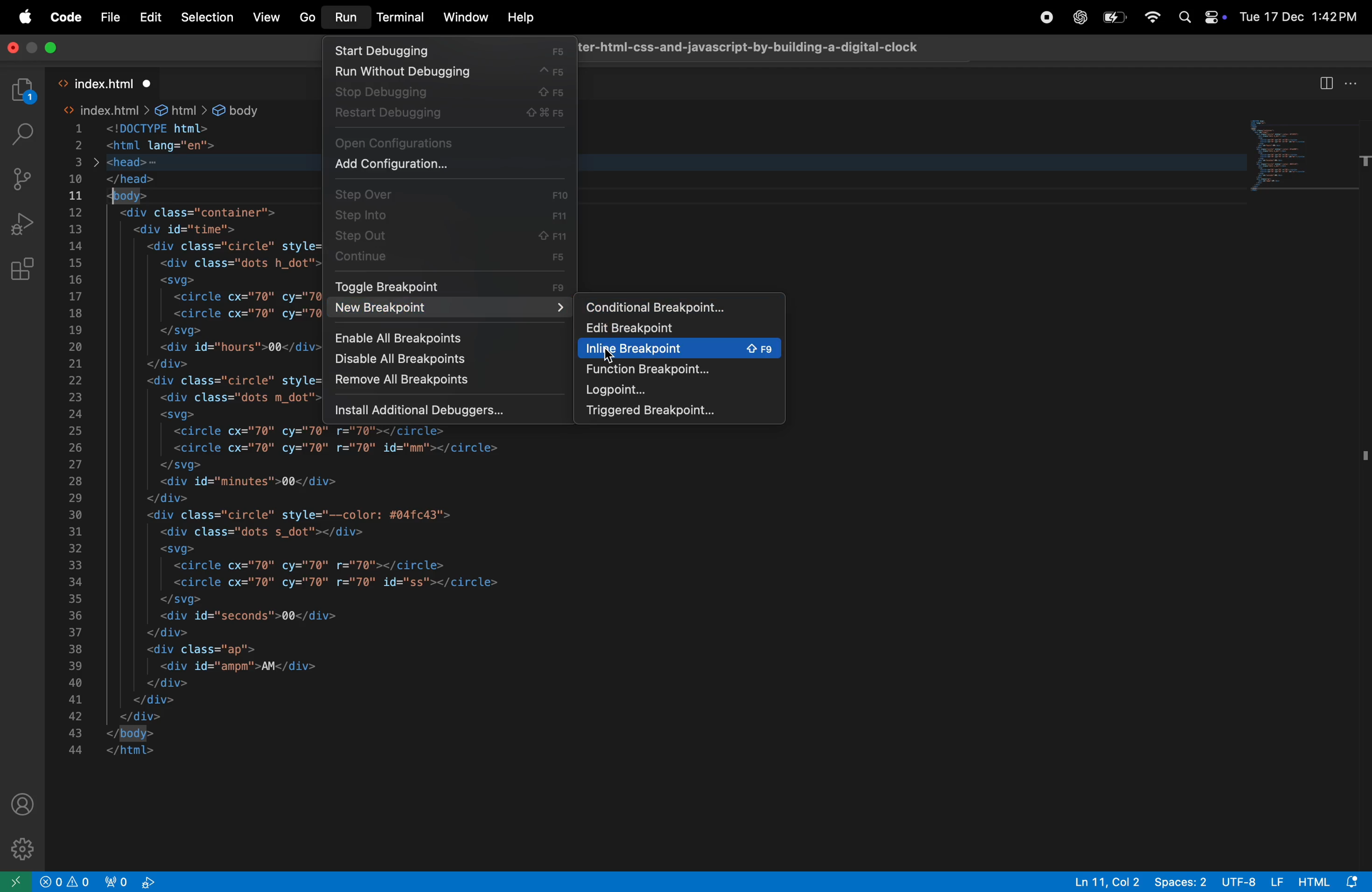 The height and width of the screenshot is (892, 1372). What do you see at coordinates (679, 348) in the screenshot?
I see `inline breakpoint` at bounding box center [679, 348].